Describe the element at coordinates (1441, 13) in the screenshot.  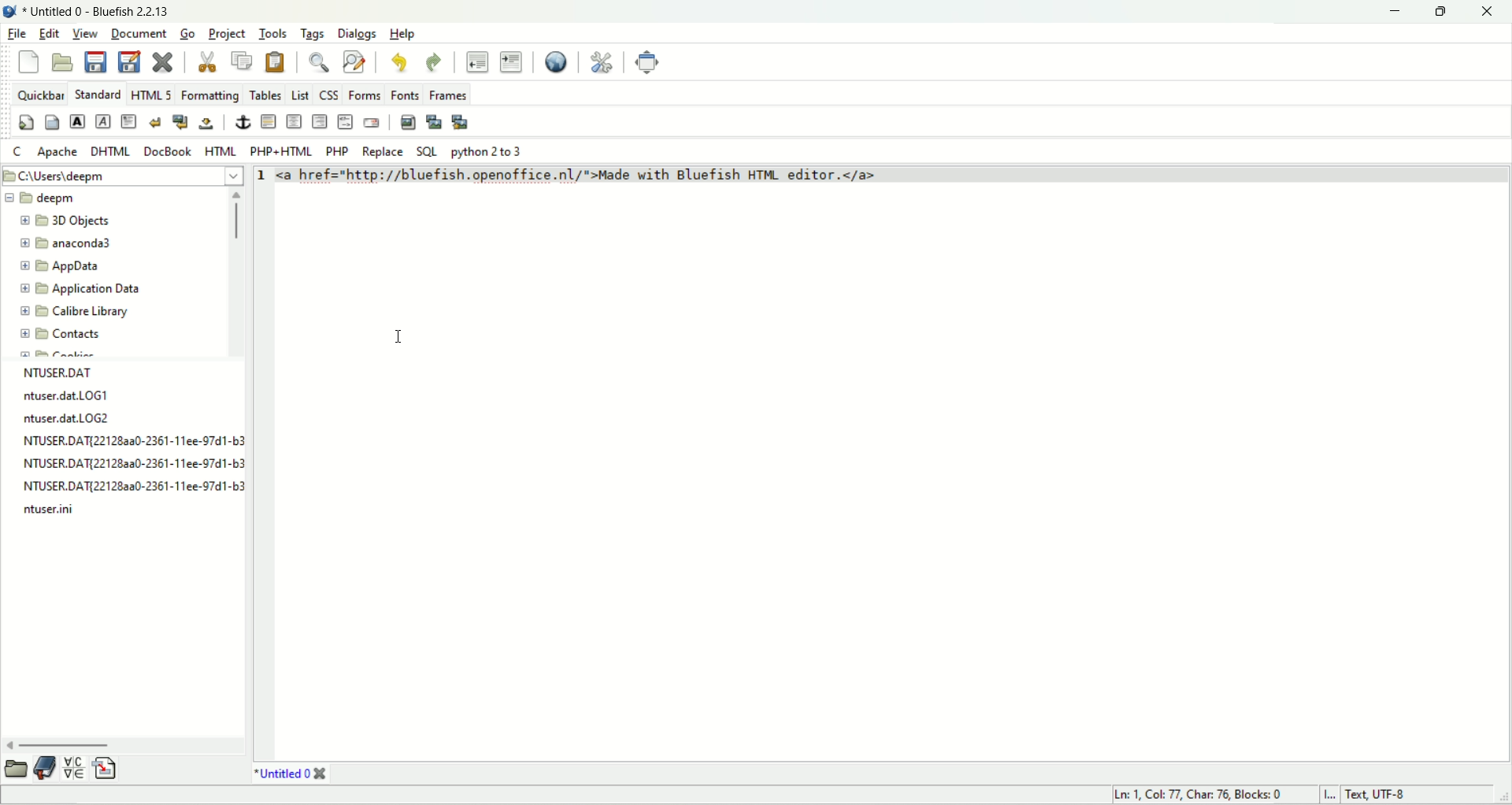
I see `maximize` at that location.